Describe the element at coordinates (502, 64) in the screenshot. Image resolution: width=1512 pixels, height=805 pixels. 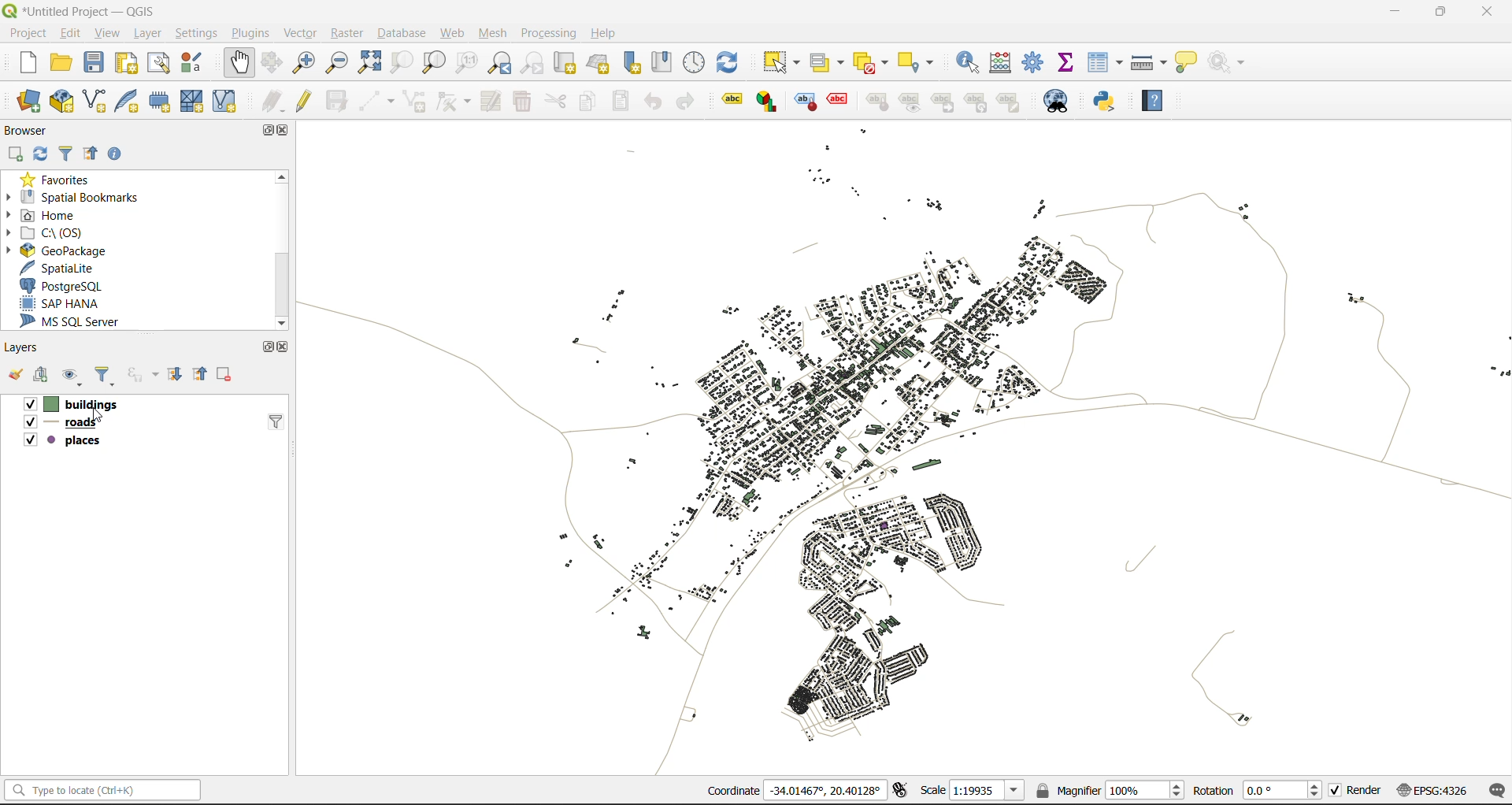
I see `zoom last` at that location.